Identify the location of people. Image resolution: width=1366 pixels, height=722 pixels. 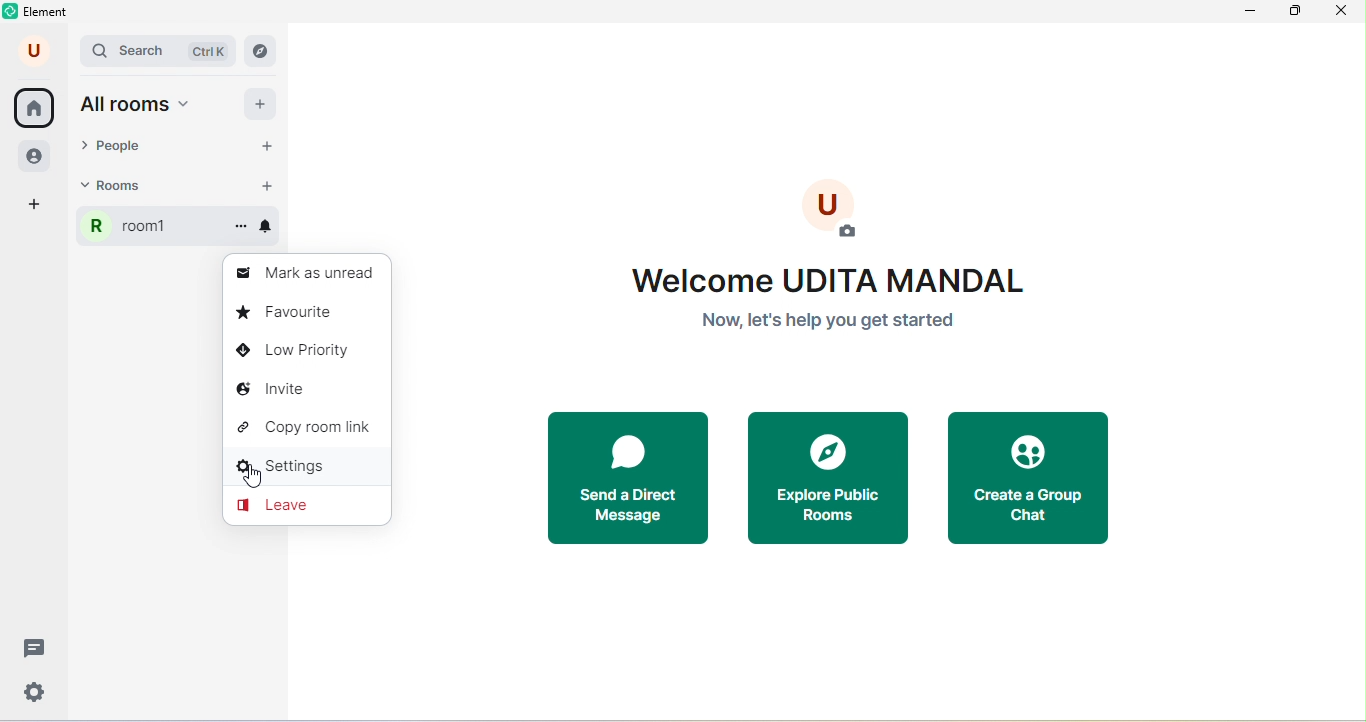
(117, 147).